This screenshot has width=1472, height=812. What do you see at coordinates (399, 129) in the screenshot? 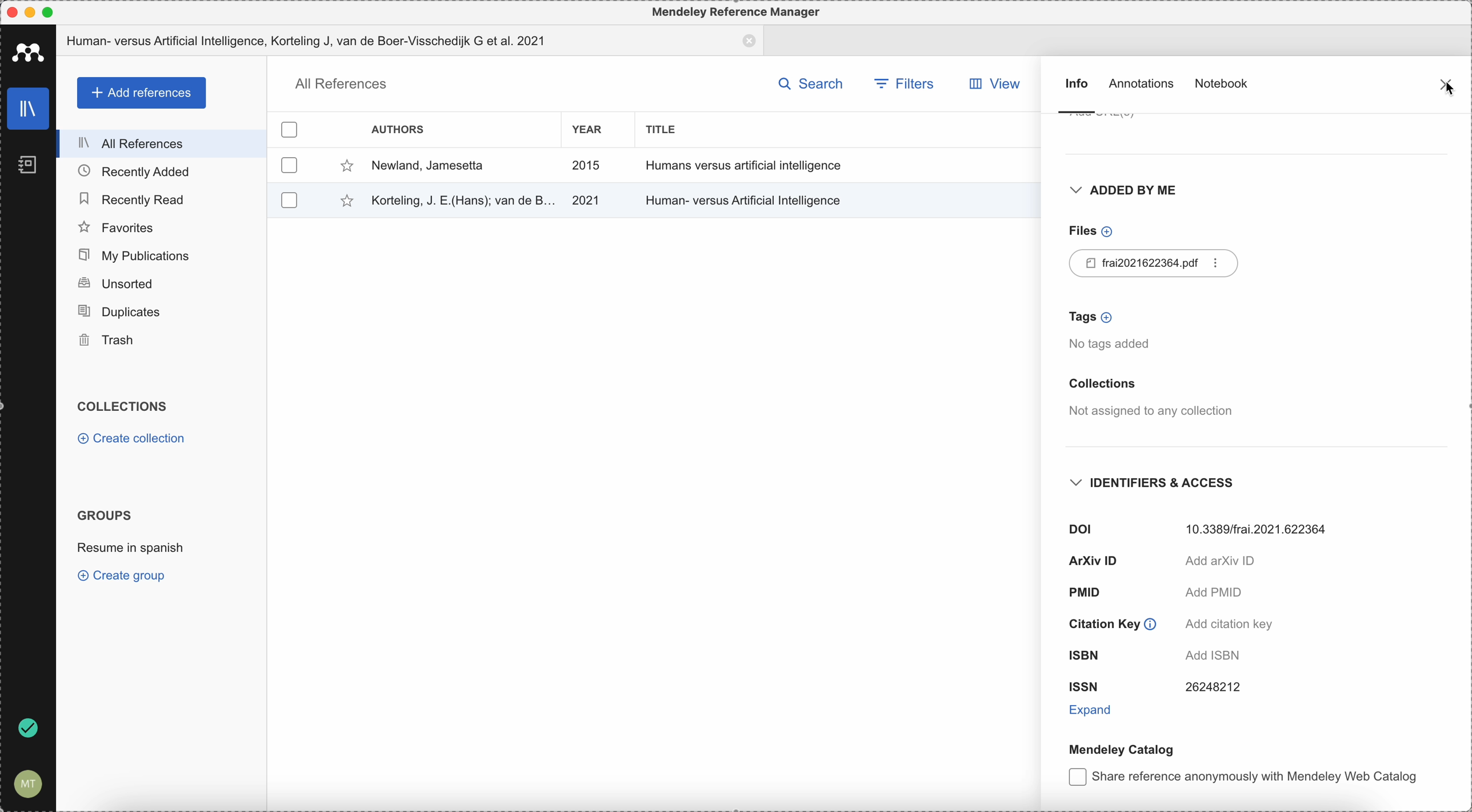
I see `authors` at bounding box center [399, 129].